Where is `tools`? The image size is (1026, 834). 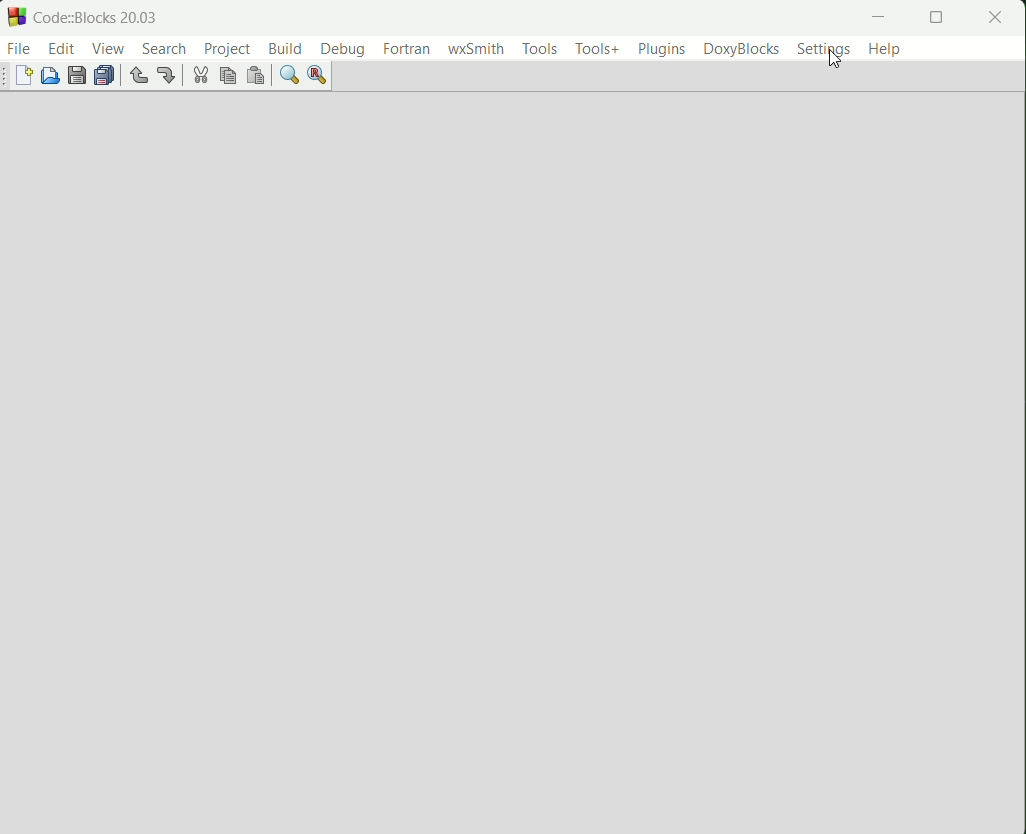 tools is located at coordinates (539, 49).